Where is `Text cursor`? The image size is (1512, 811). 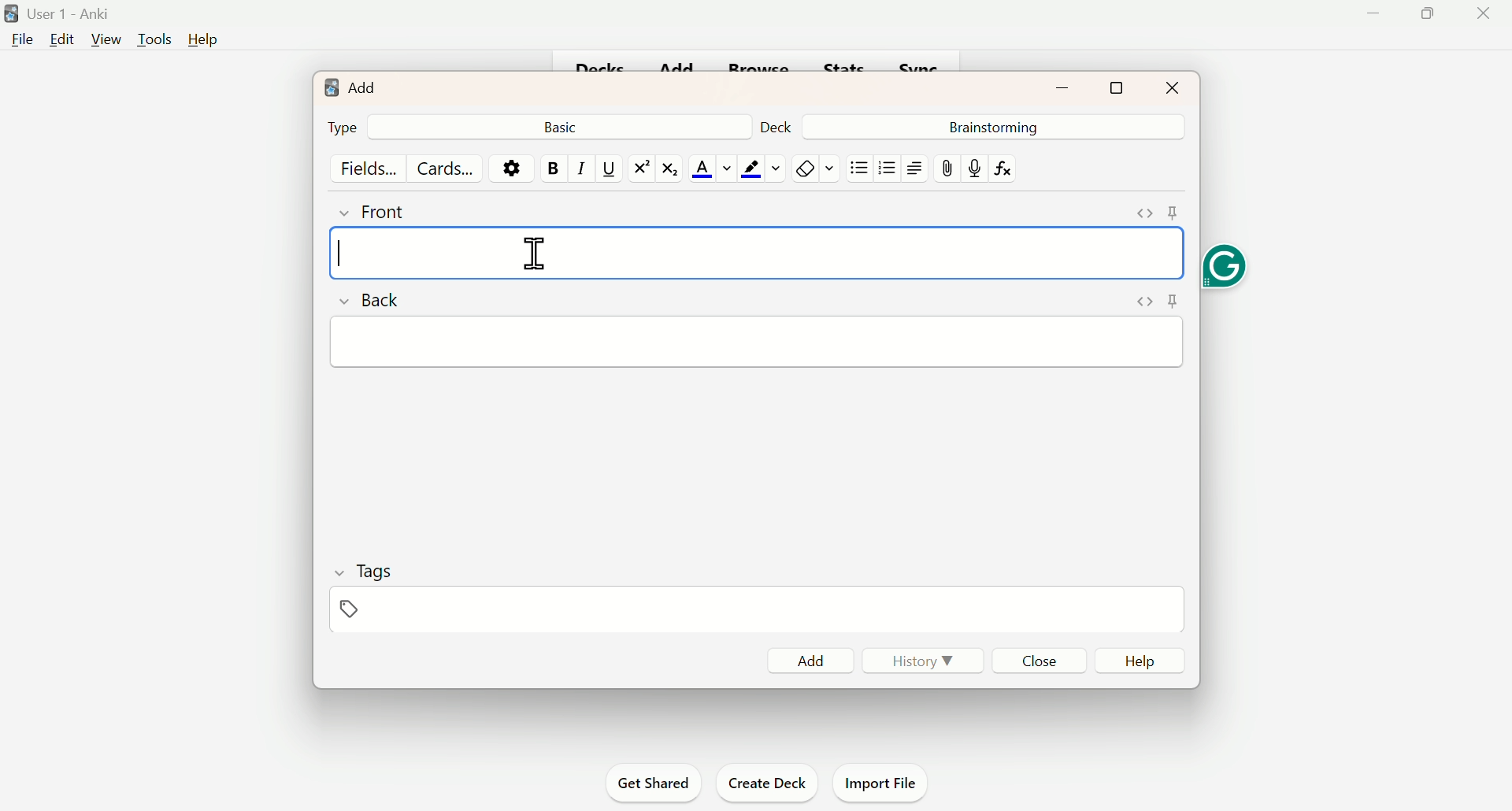 Text cursor is located at coordinates (342, 257).